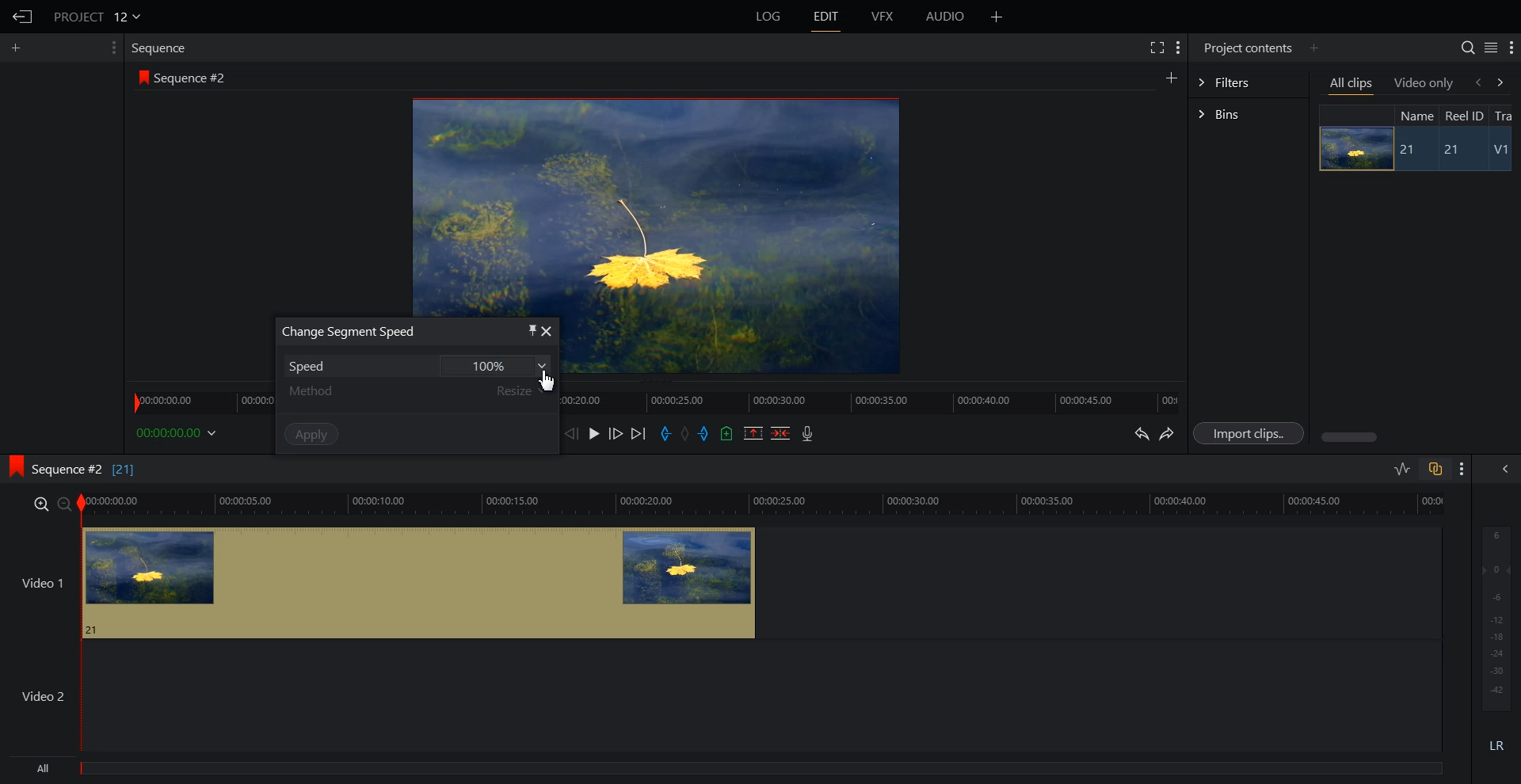  What do you see at coordinates (765, 502) in the screenshot?
I see `video time` at bounding box center [765, 502].